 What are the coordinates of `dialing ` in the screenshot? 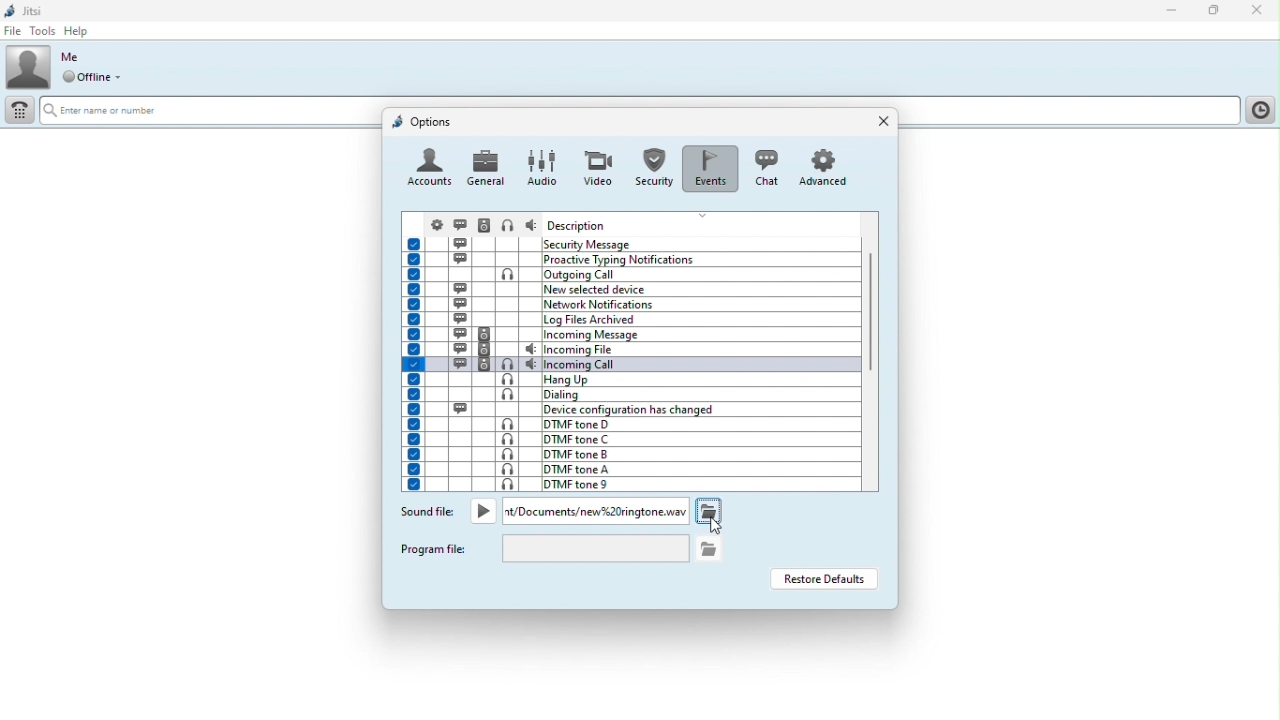 It's located at (628, 396).